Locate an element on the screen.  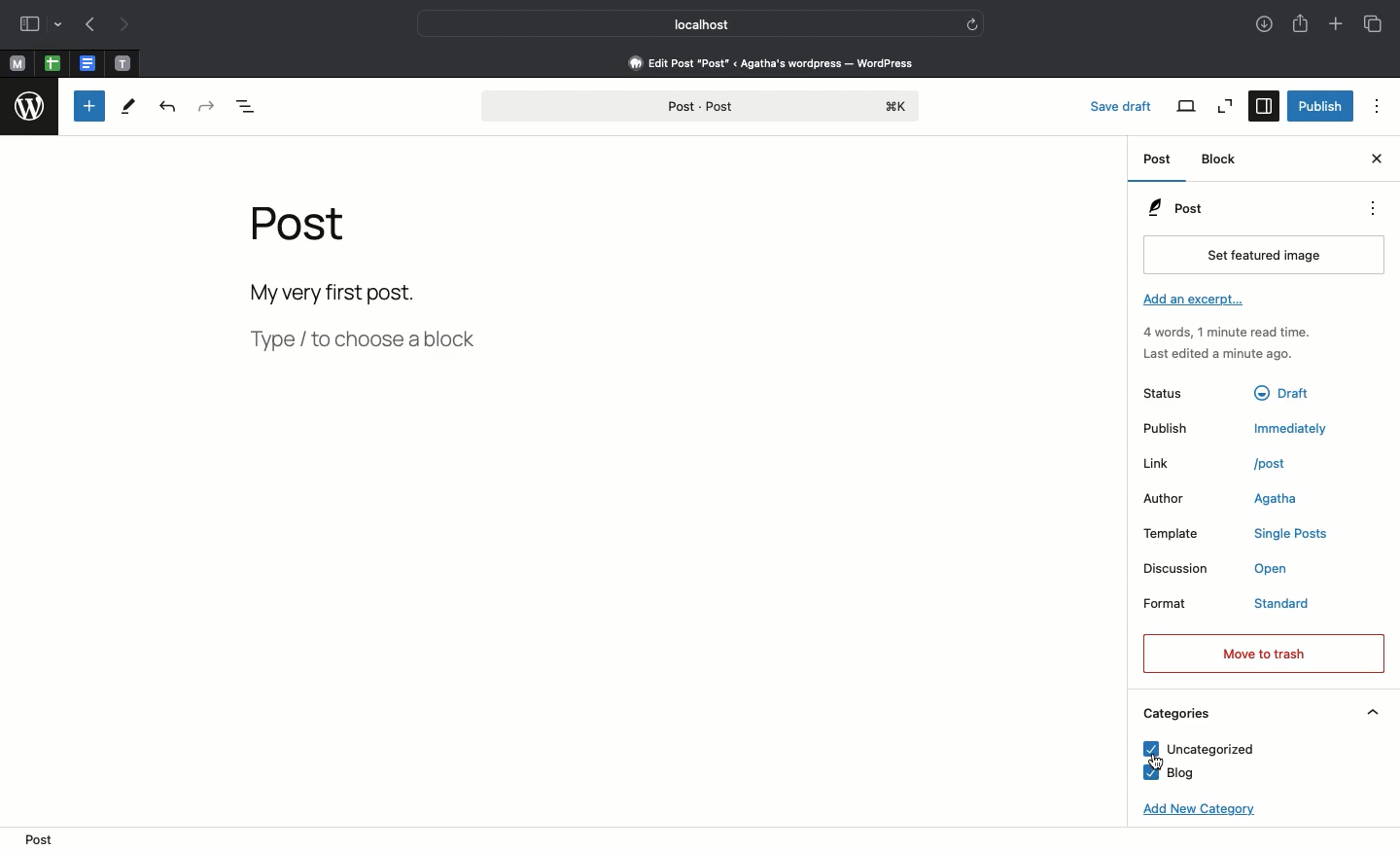
Saved is located at coordinates (1126, 104).